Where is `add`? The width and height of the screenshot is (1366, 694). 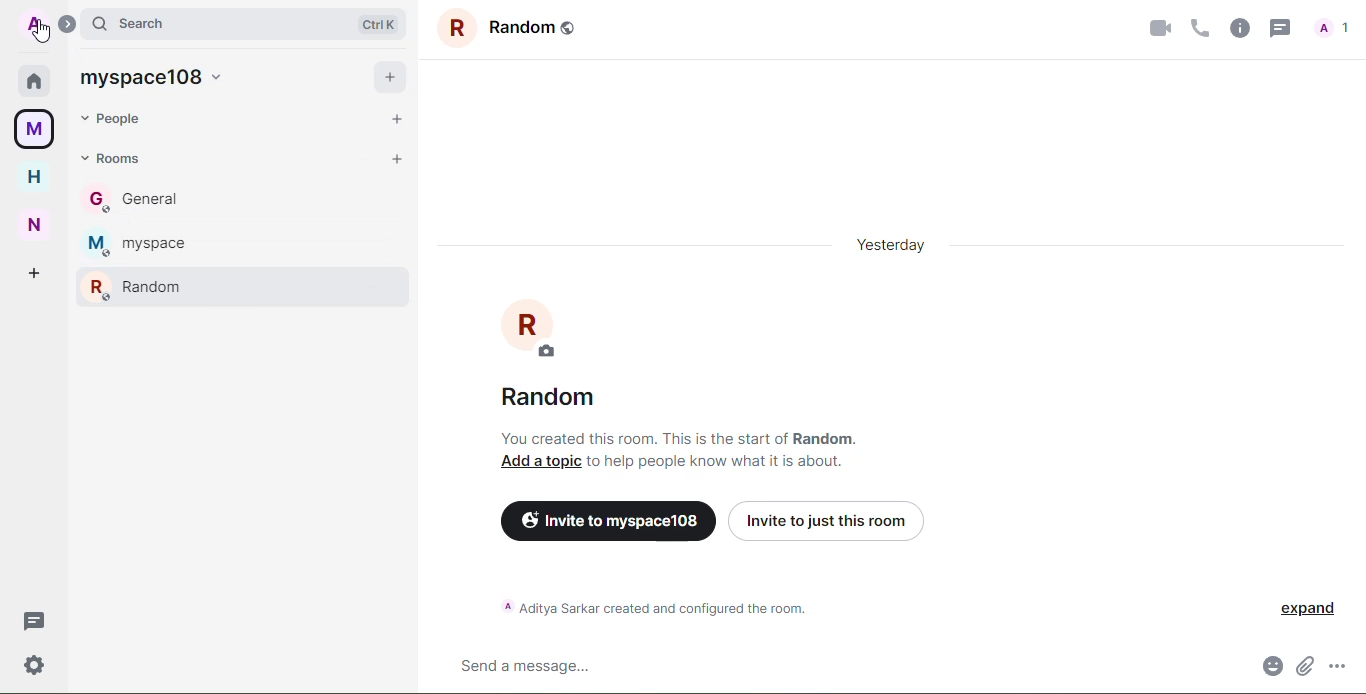 add is located at coordinates (34, 272).